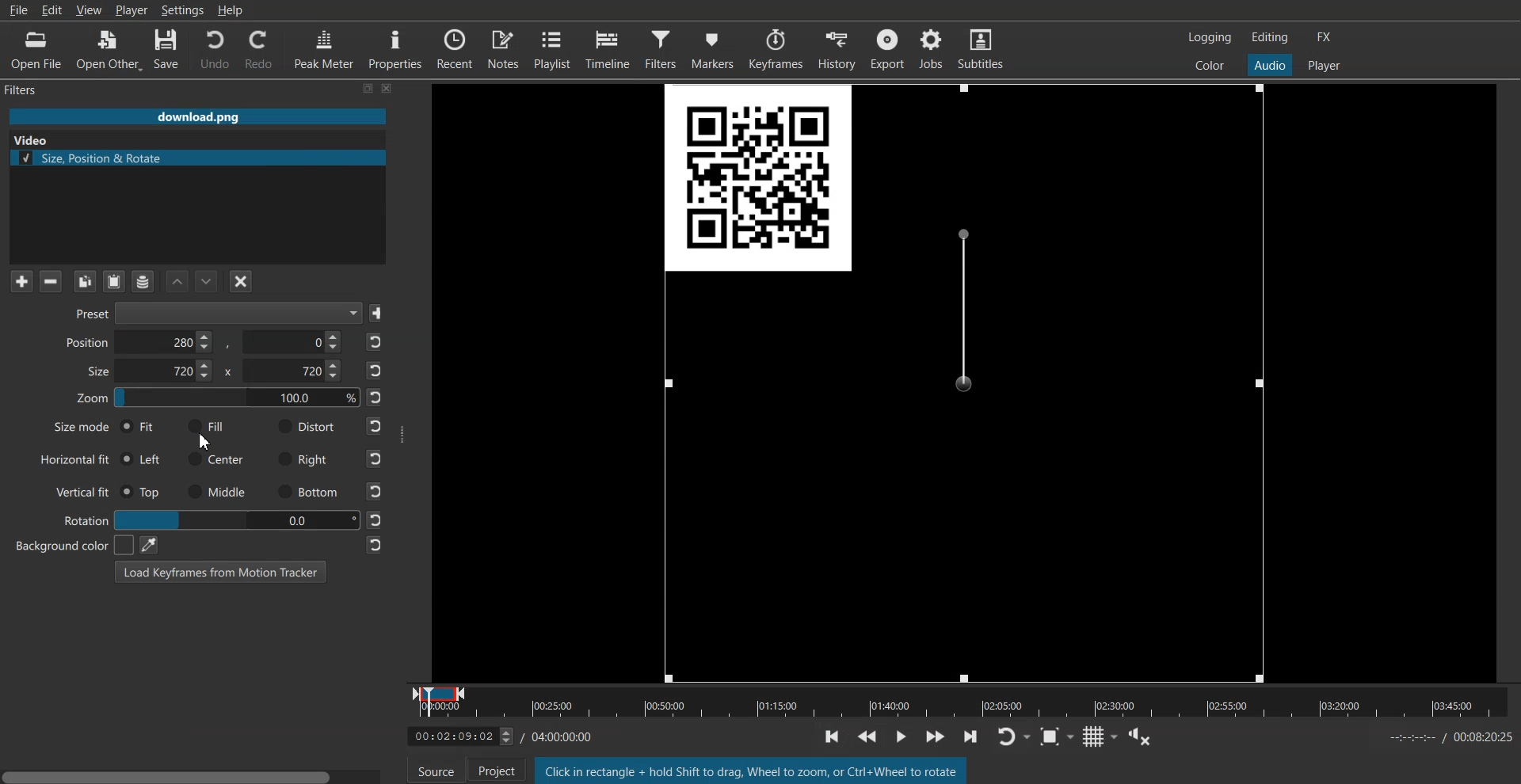 This screenshot has width=1521, height=784. I want to click on Copy checked Filter, so click(86, 281).